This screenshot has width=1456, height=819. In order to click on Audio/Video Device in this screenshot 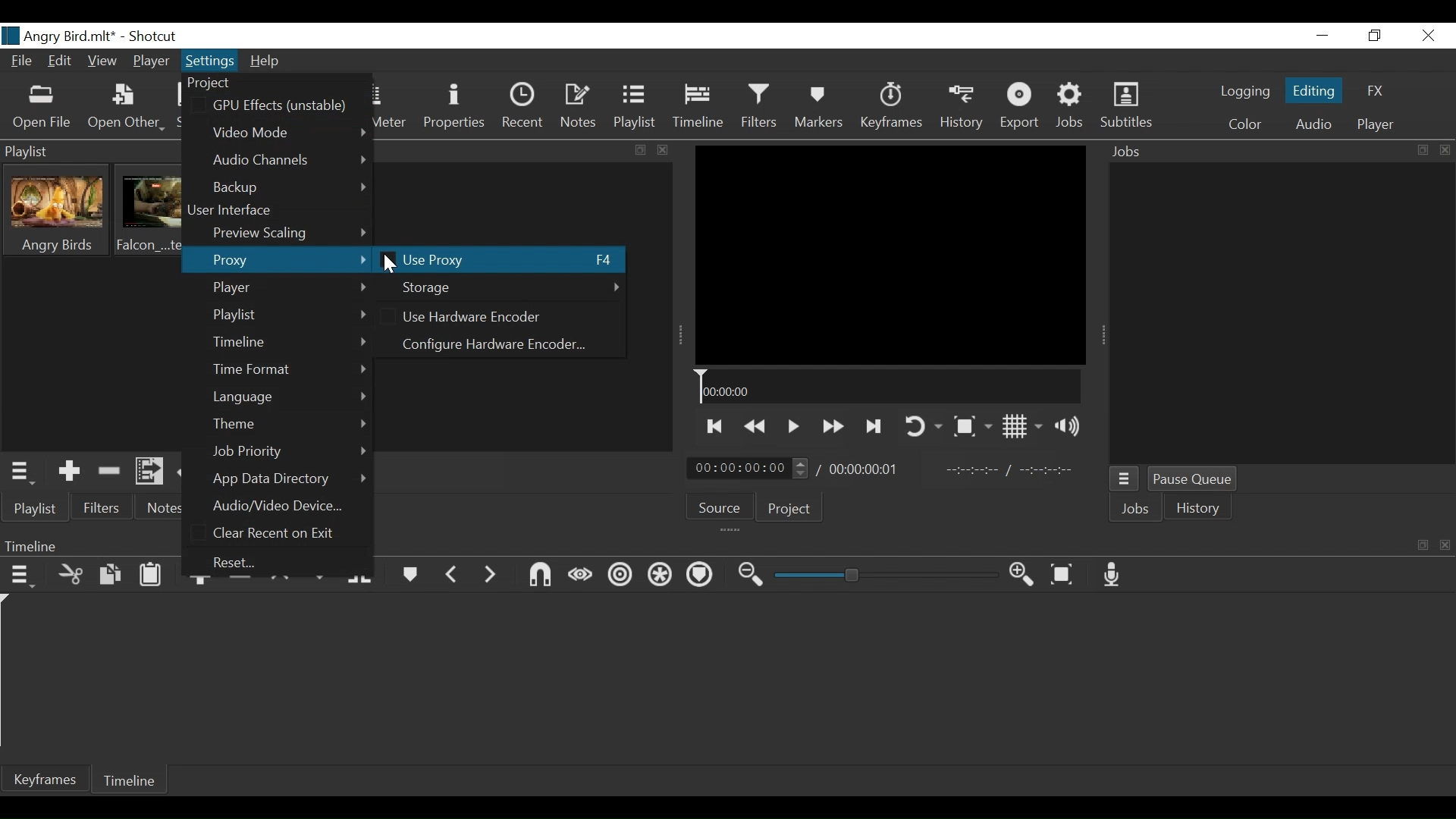, I will do `click(286, 505)`.